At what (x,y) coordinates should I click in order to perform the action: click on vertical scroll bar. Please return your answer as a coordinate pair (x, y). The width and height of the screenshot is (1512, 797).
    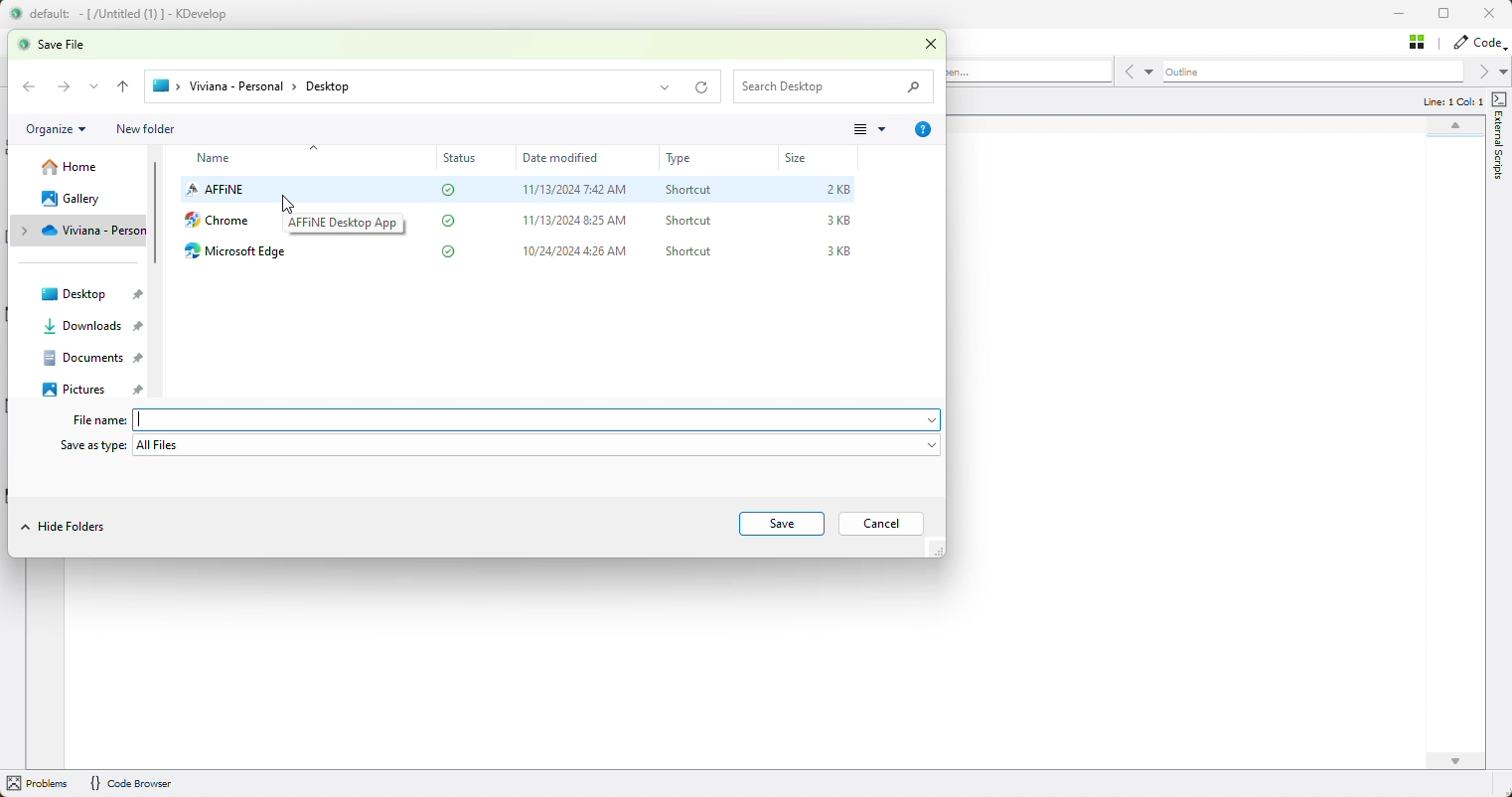
    Looking at the image, I should click on (157, 215).